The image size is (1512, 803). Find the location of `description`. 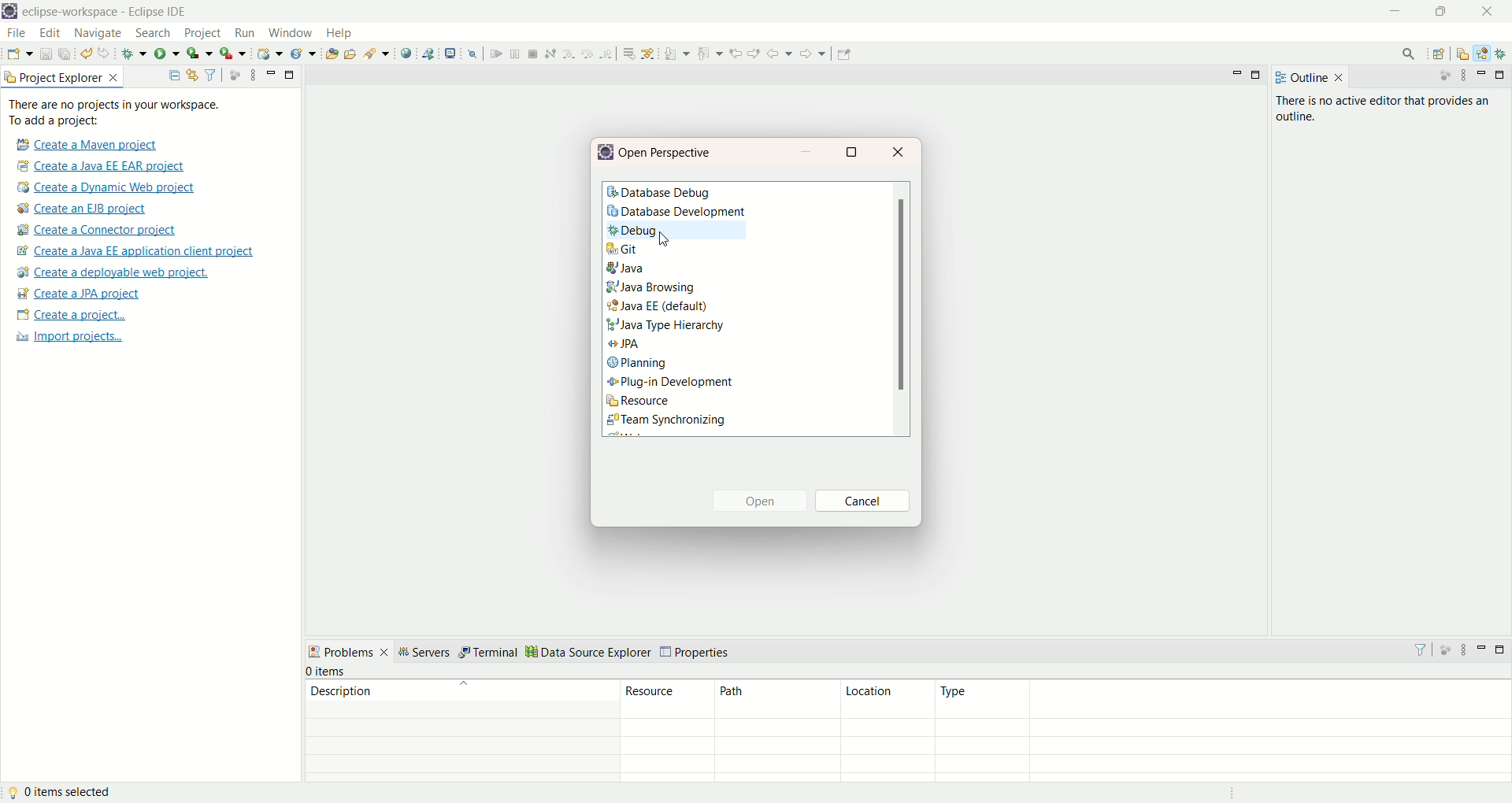

description is located at coordinates (457, 729).